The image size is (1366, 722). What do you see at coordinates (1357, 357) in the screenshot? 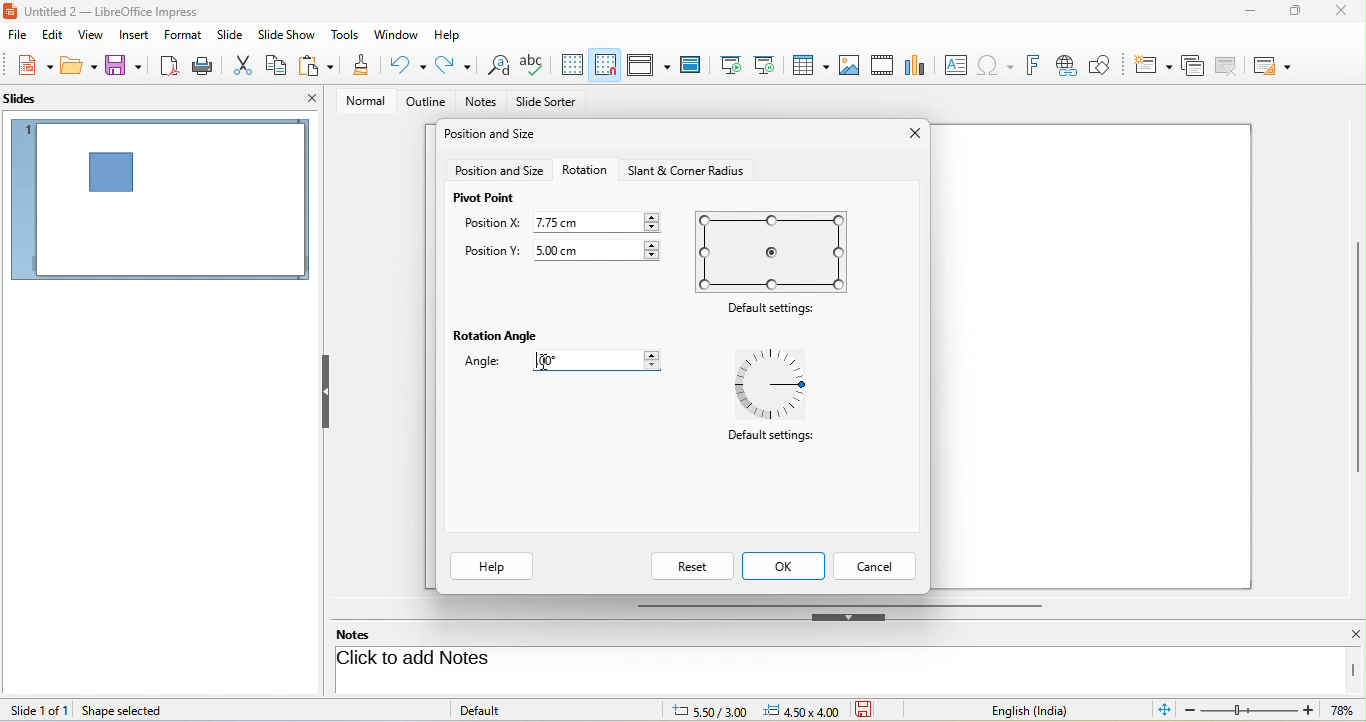
I see `vertical scroll bar` at bounding box center [1357, 357].